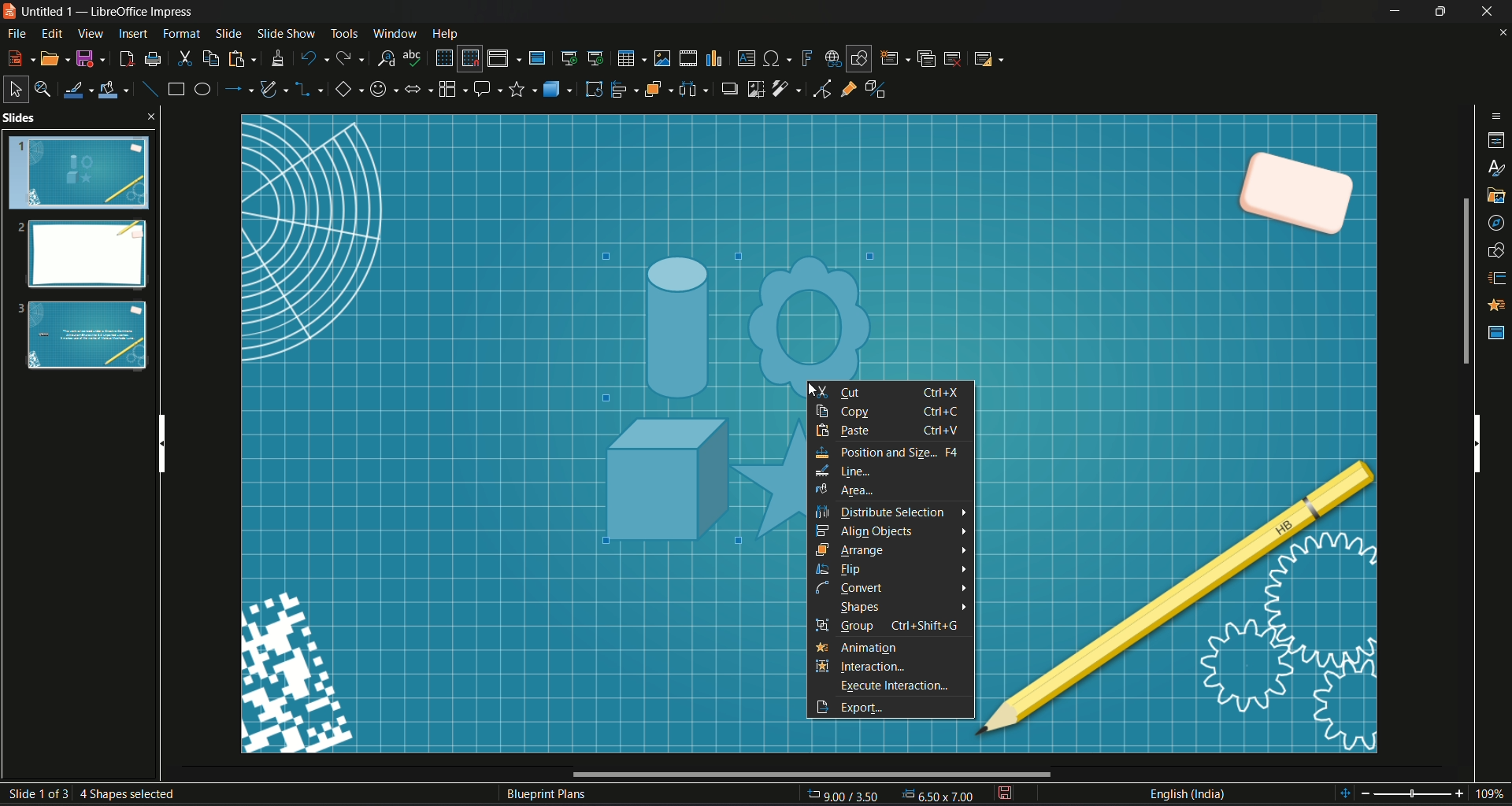 This screenshot has width=1512, height=806. Describe the element at coordinates (417, 91) in the screenshot. I see `block arrows` at that location.